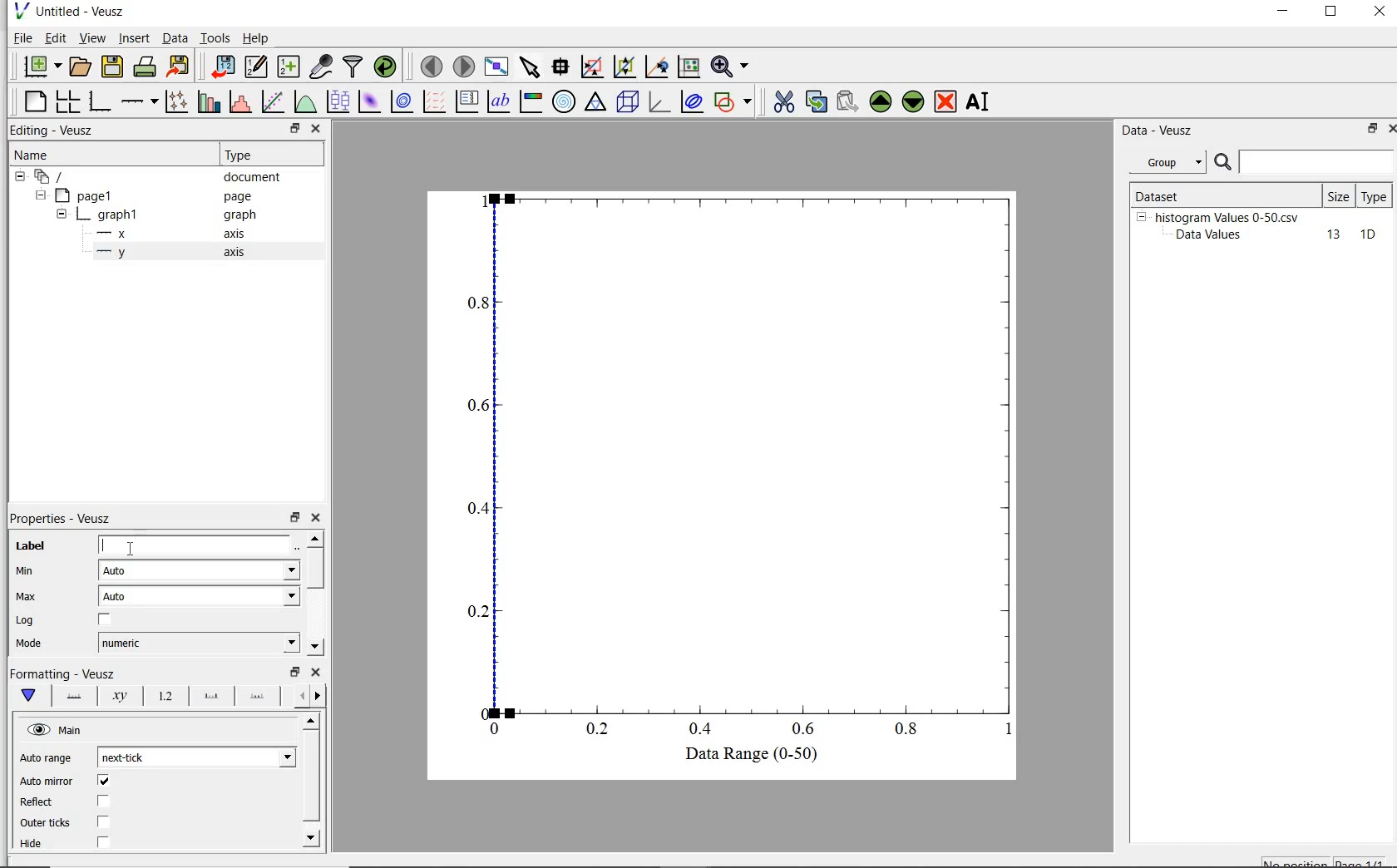 This screenshot has width=1397, height=868. Describe the element at coordinates (1141, 216) in the screenshot. I see `hide` at that location.